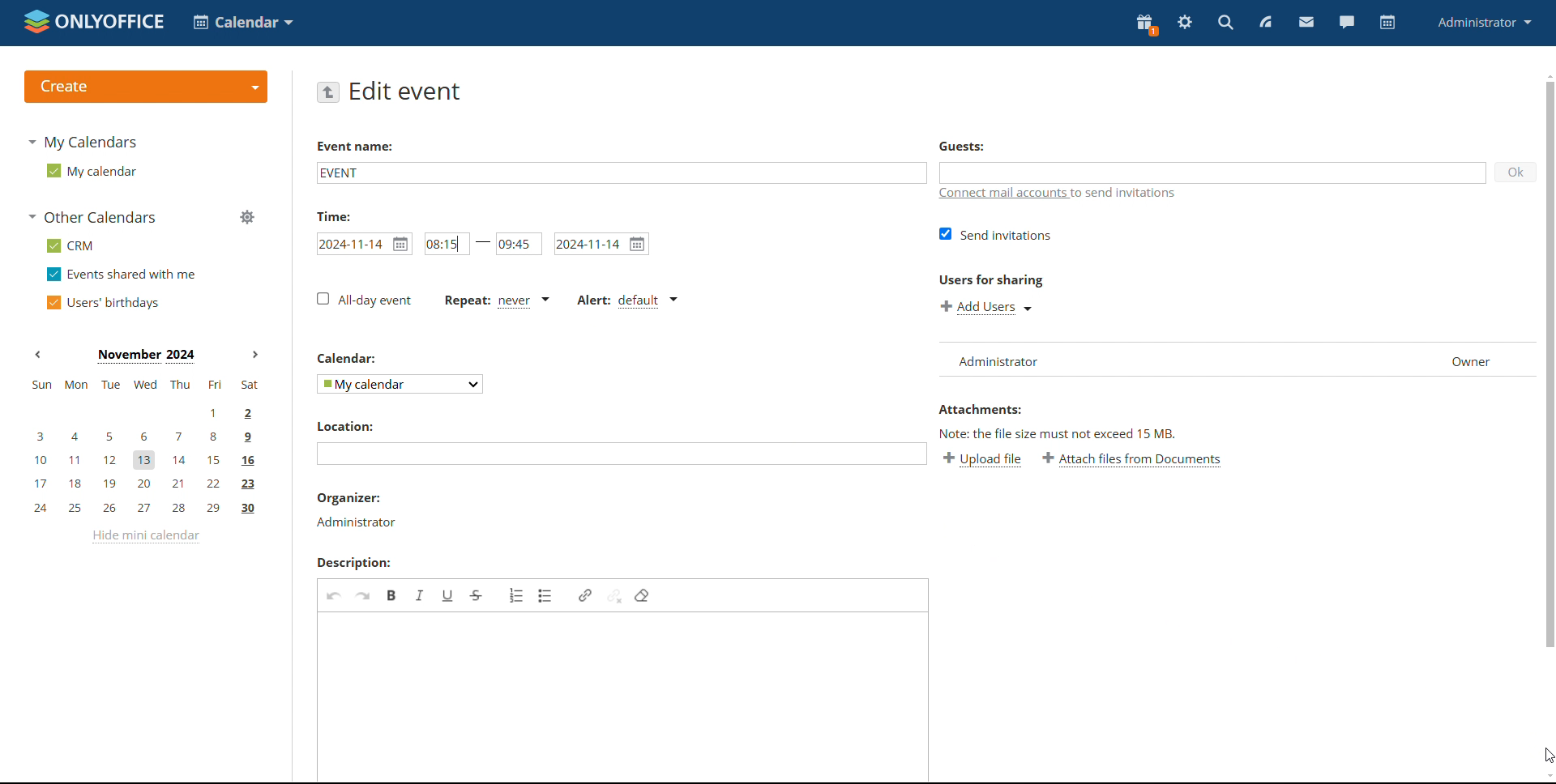 The width and height of the screenshot is (1556, 784). I want to click on go back, so click(329, 92).